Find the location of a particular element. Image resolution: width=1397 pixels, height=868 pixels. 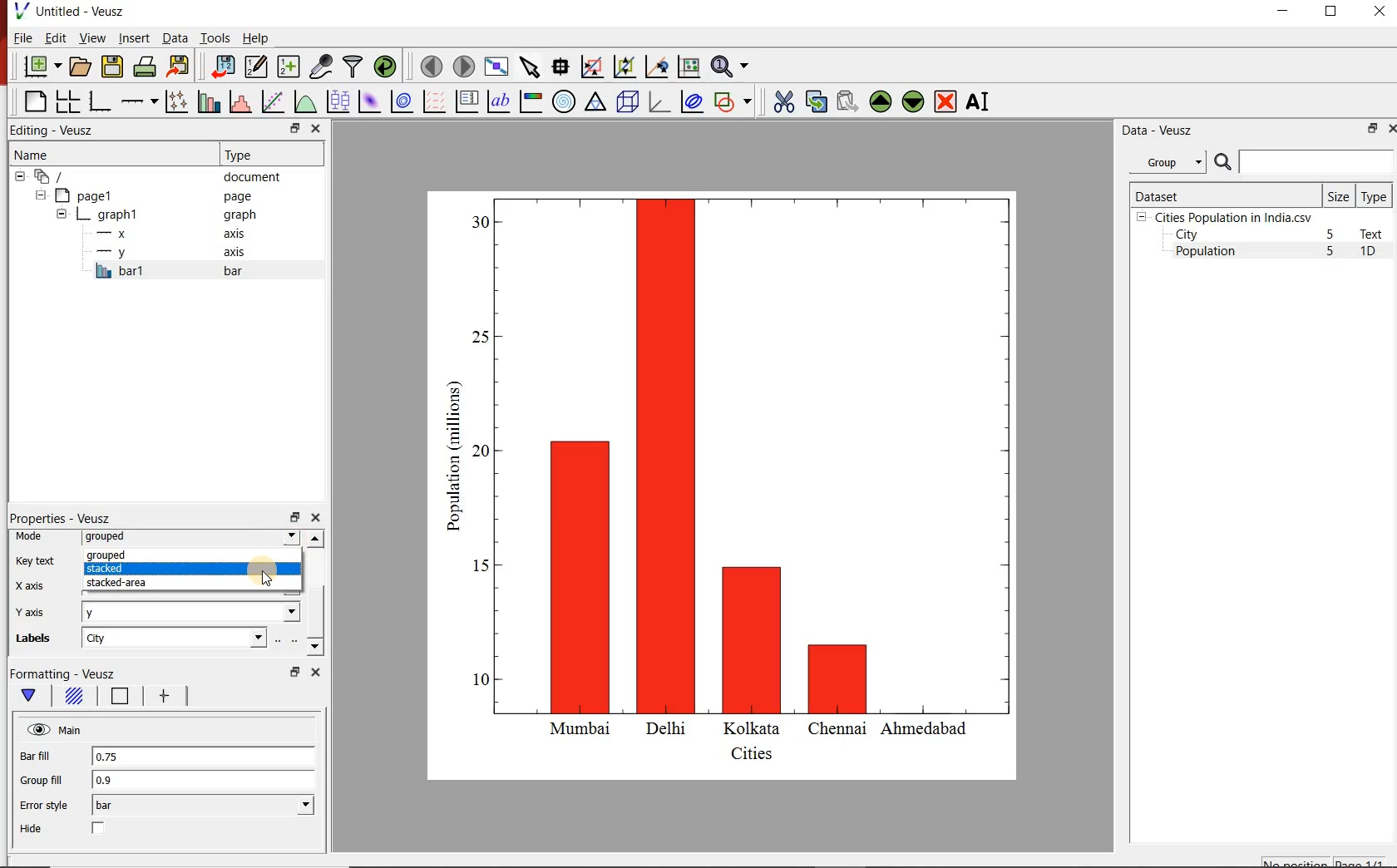

export to graphics format is located at coordinates (179, 67).